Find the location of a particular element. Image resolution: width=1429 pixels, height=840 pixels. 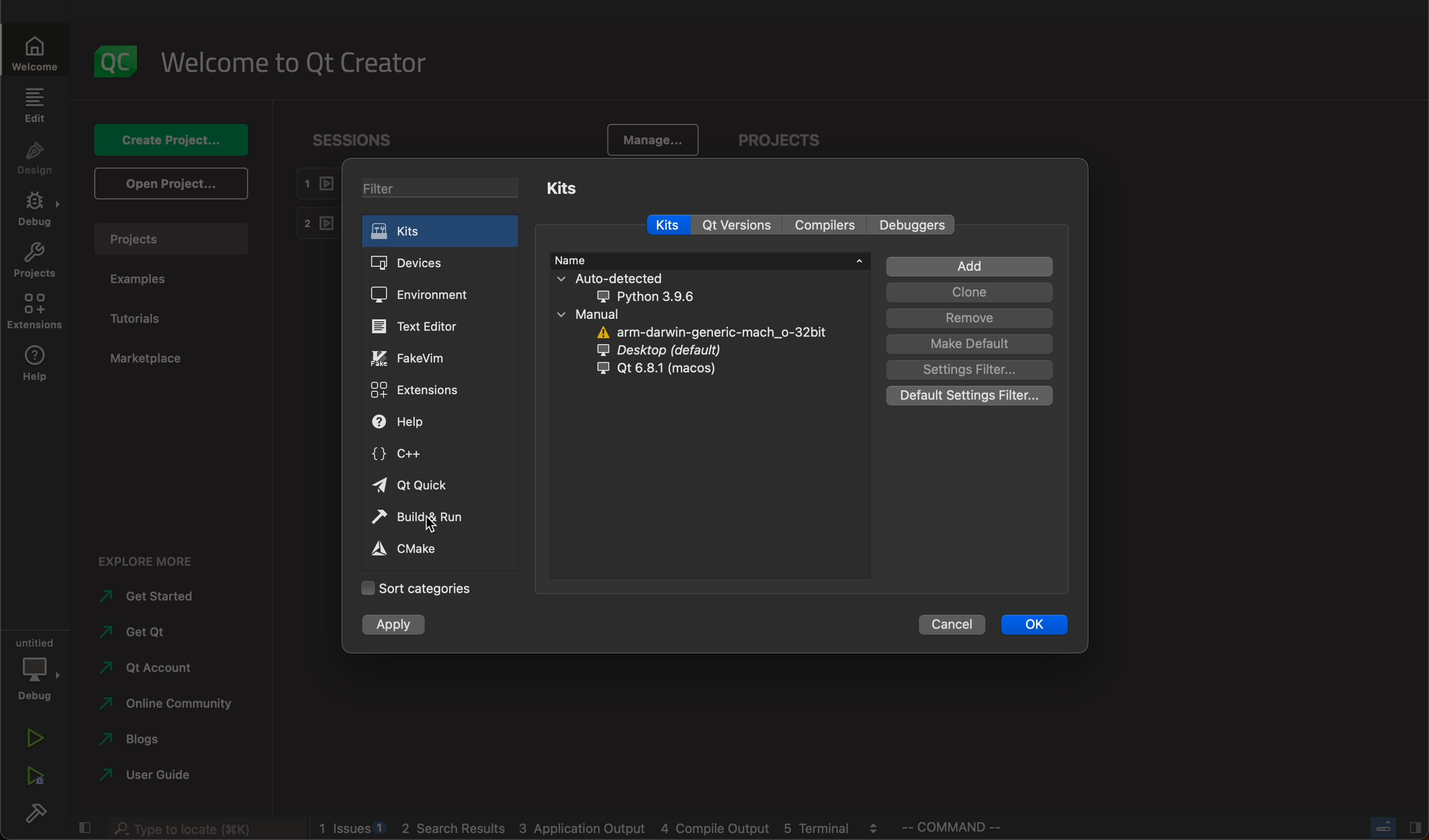

cmake is located at coordinates (415, 548).